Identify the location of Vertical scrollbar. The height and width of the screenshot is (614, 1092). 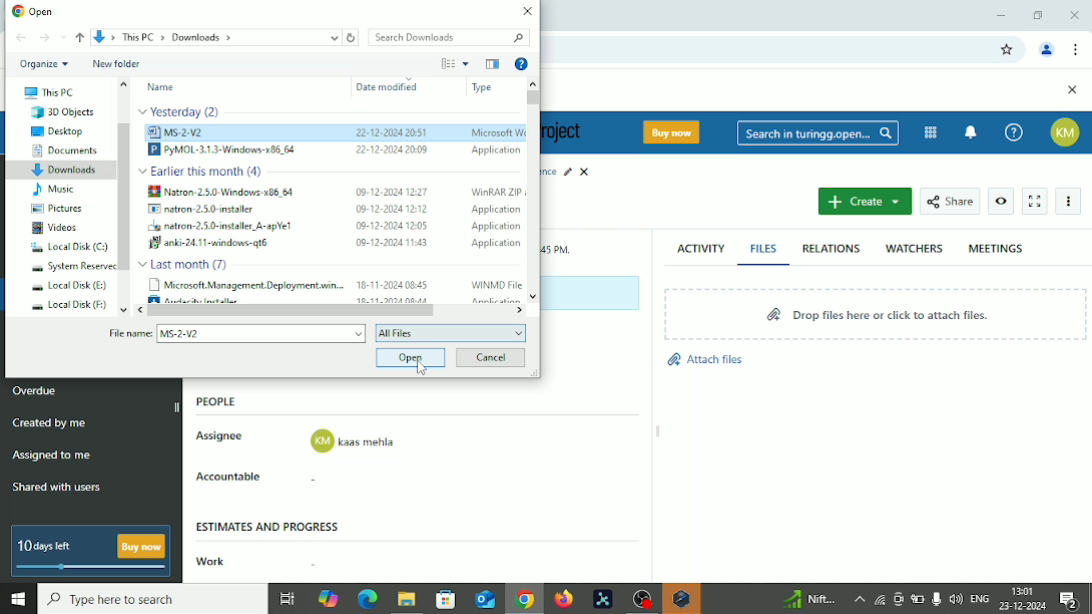
(125, 197).